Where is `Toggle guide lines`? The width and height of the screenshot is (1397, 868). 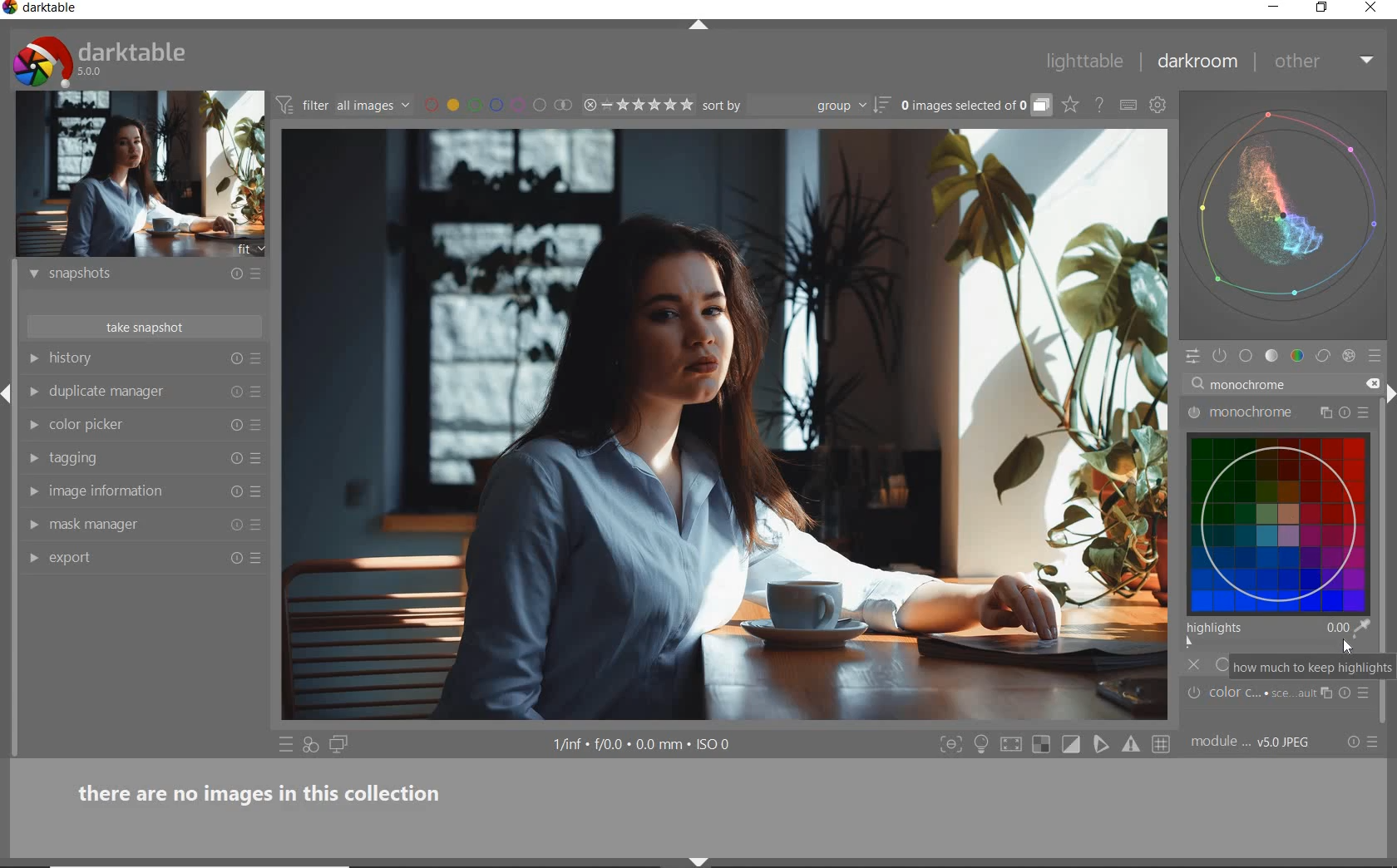
Toggle guide lines is located at coordinates (1163, 743).